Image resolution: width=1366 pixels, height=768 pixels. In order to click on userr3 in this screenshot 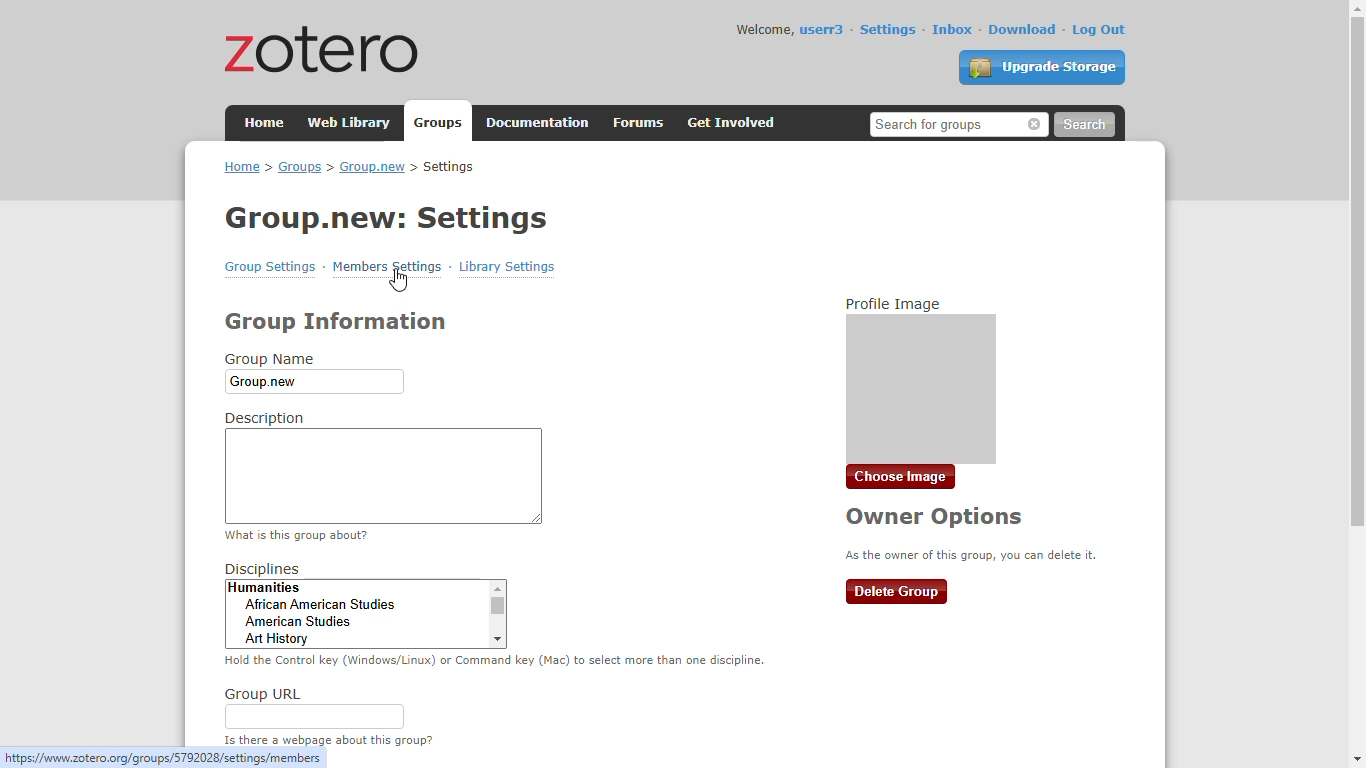, I will do `click(823, 30)`.